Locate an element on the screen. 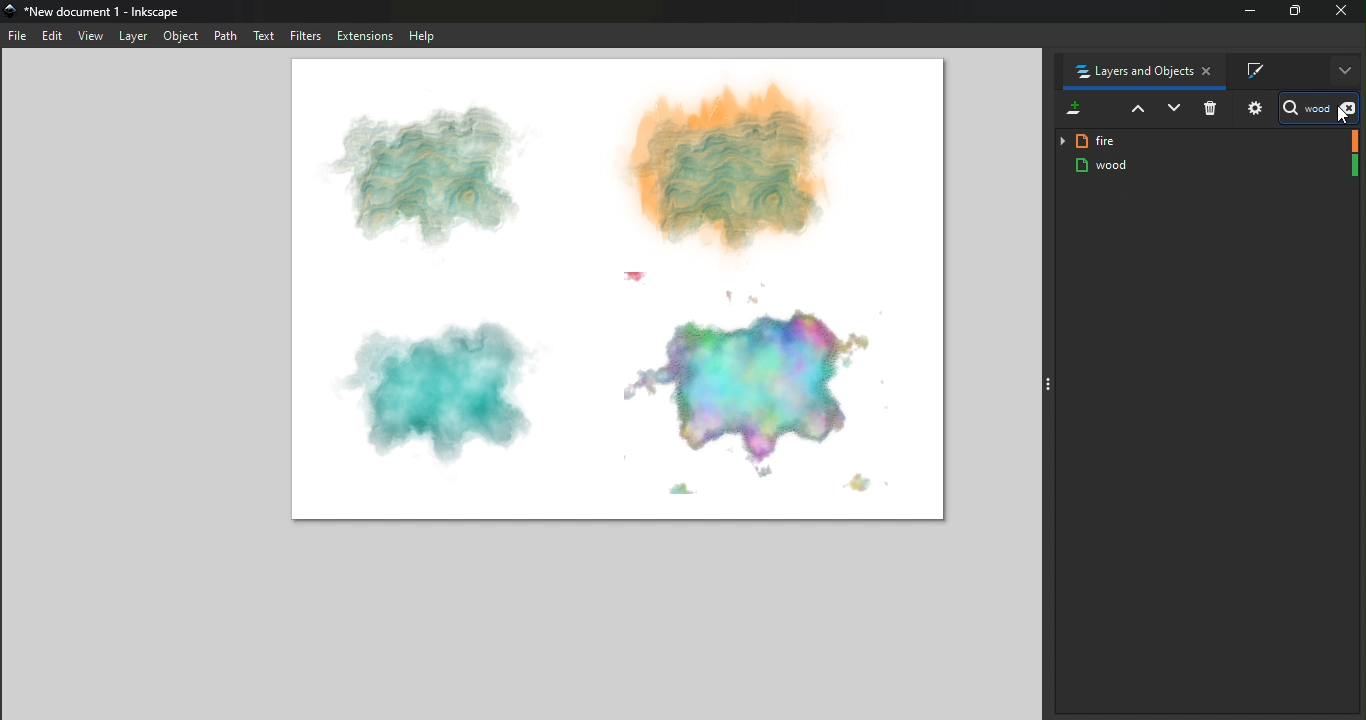 This screenshot has width=1366, height=720. Search bar is located at coordinates (1319, 109).